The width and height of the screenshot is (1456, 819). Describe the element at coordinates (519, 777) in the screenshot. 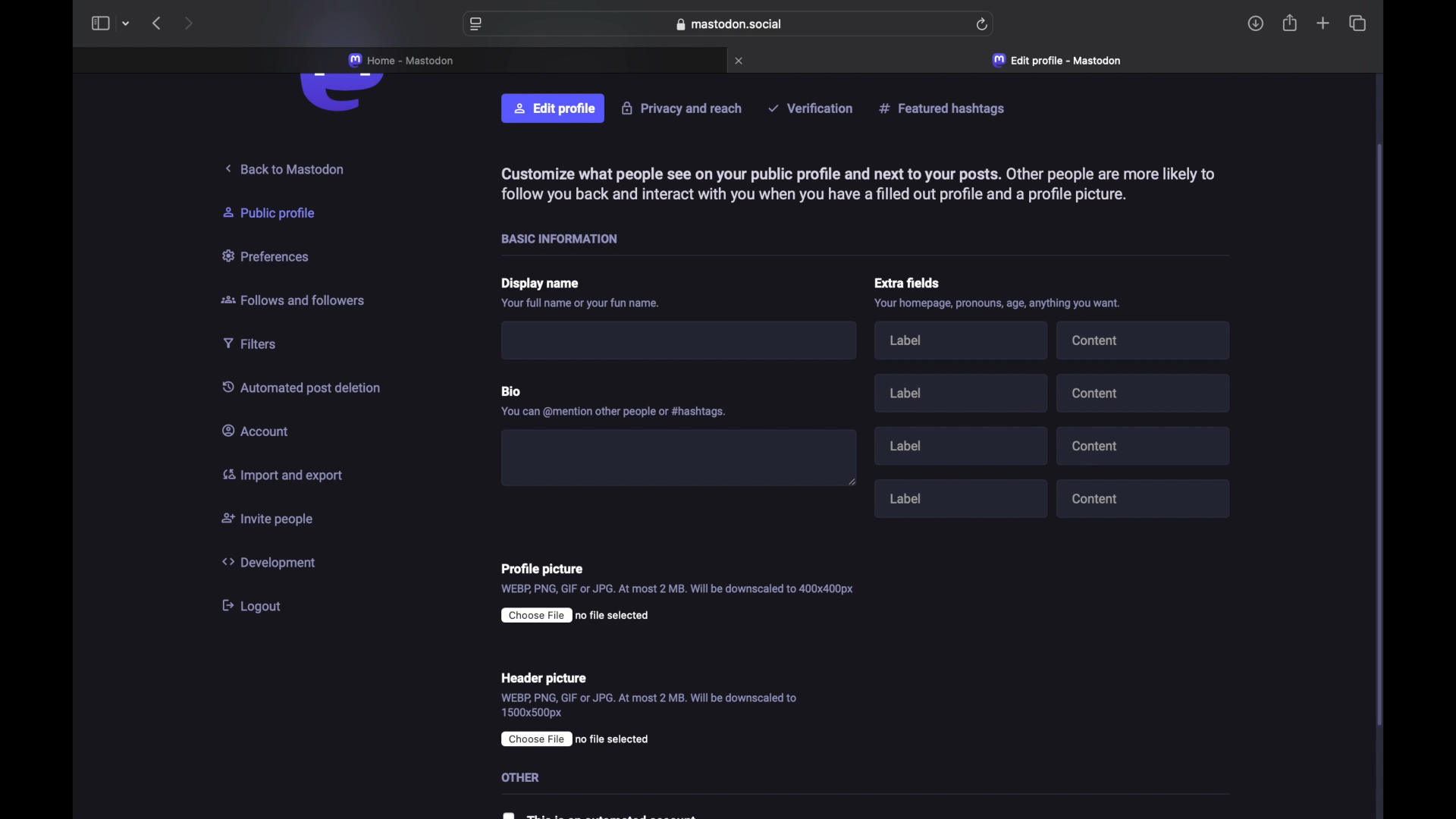

I see `other` at that location.